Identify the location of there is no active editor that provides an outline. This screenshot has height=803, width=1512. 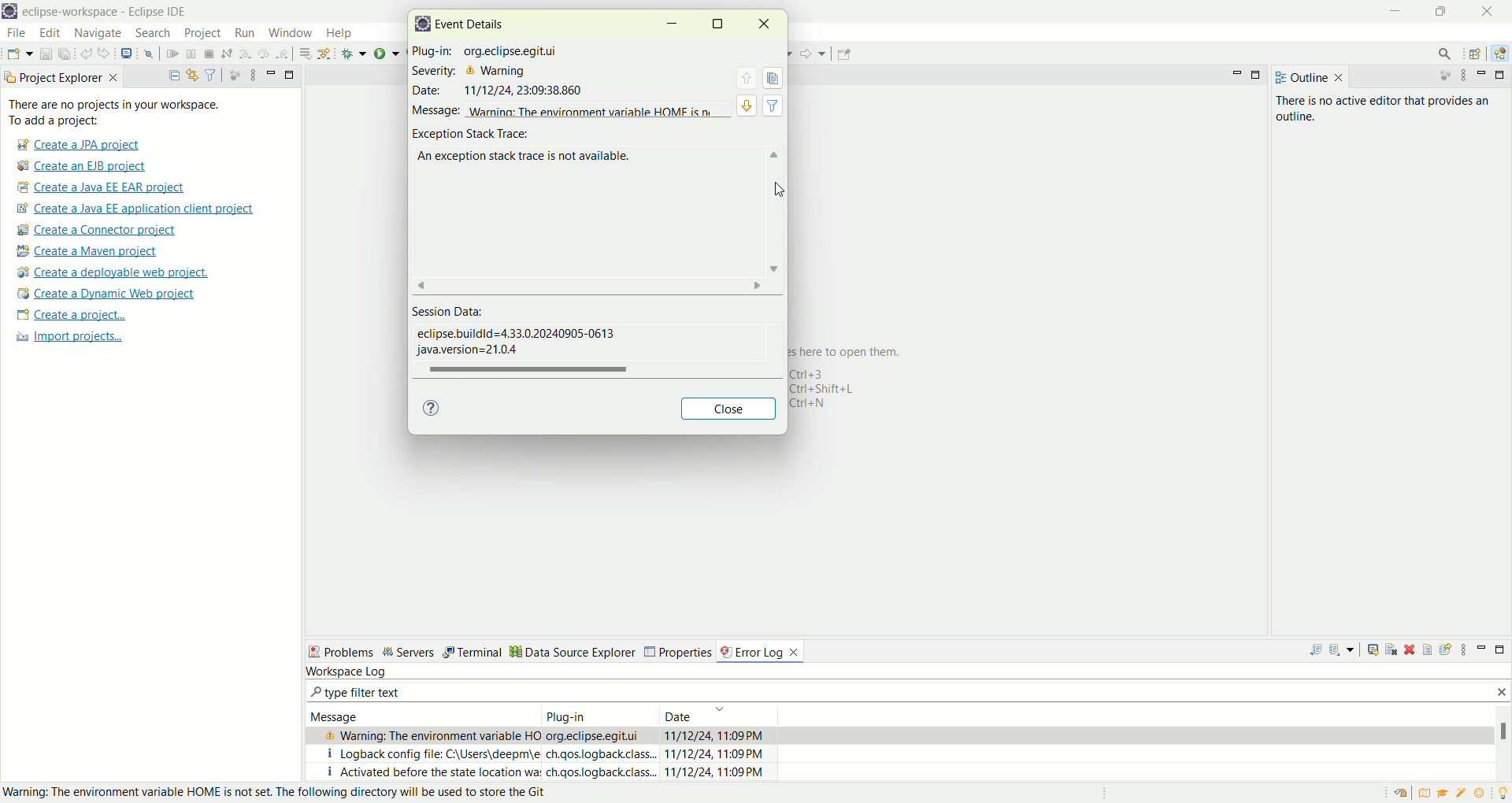
(1389, 106).